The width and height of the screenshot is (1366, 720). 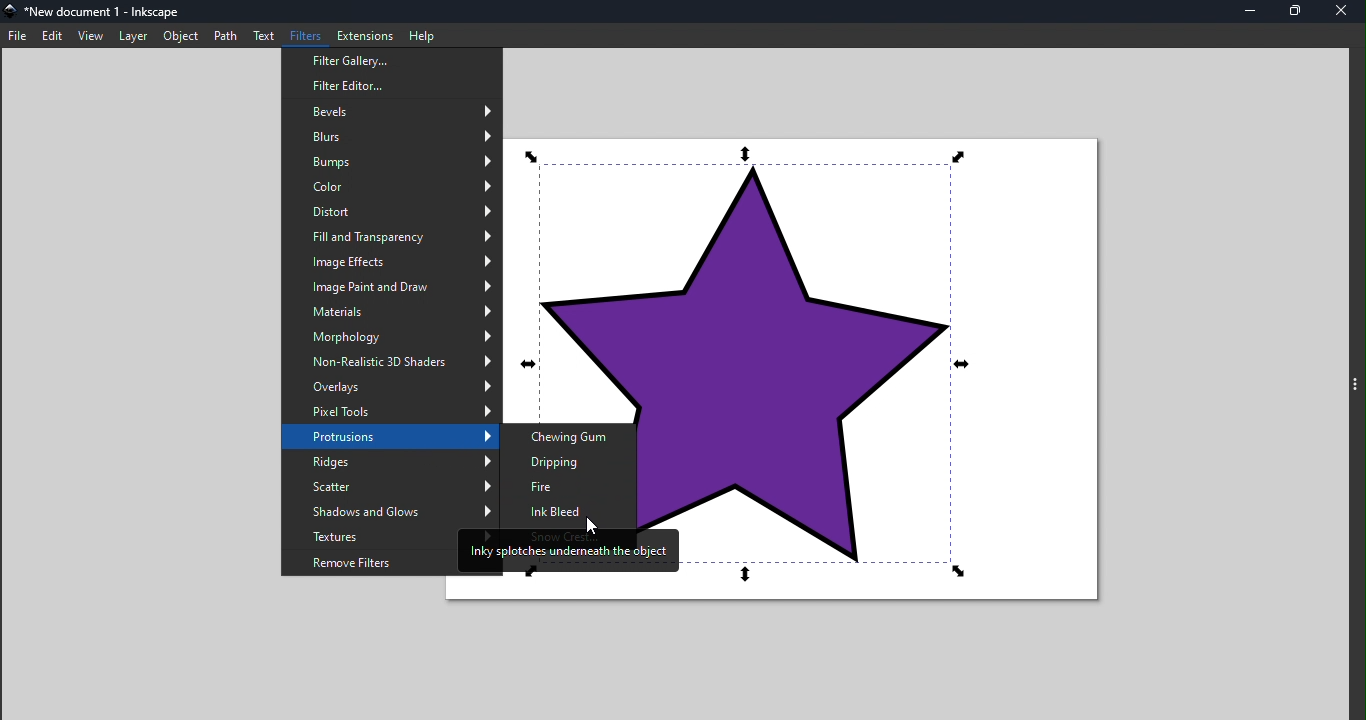 What do you see at coordinates (392, 113) in the screenshot?
I see `Bevels` at bounding box center [392, 113].